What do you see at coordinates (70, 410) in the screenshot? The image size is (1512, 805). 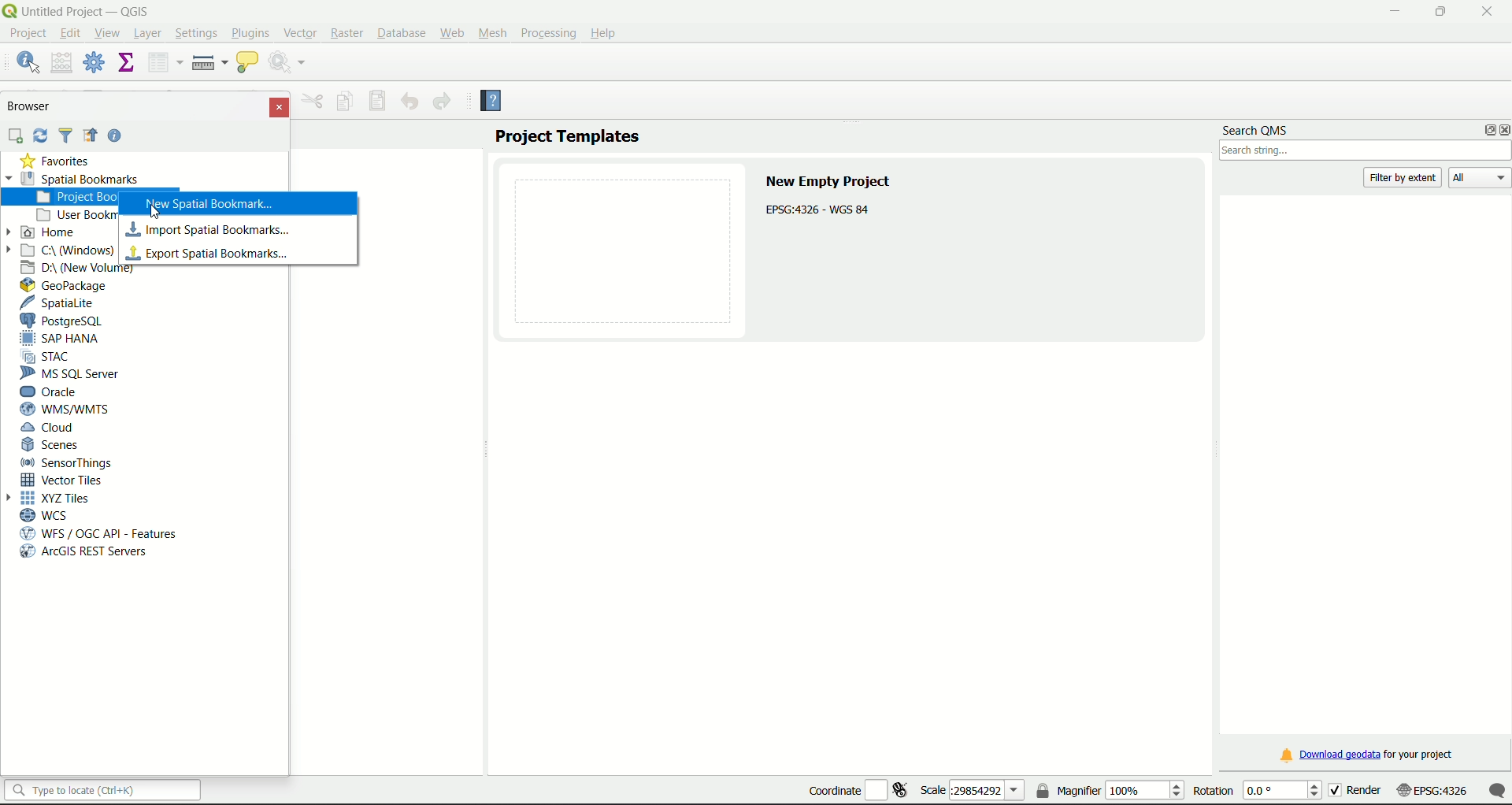 I see `WMS/WTMS` at bounding box center [70, 410].